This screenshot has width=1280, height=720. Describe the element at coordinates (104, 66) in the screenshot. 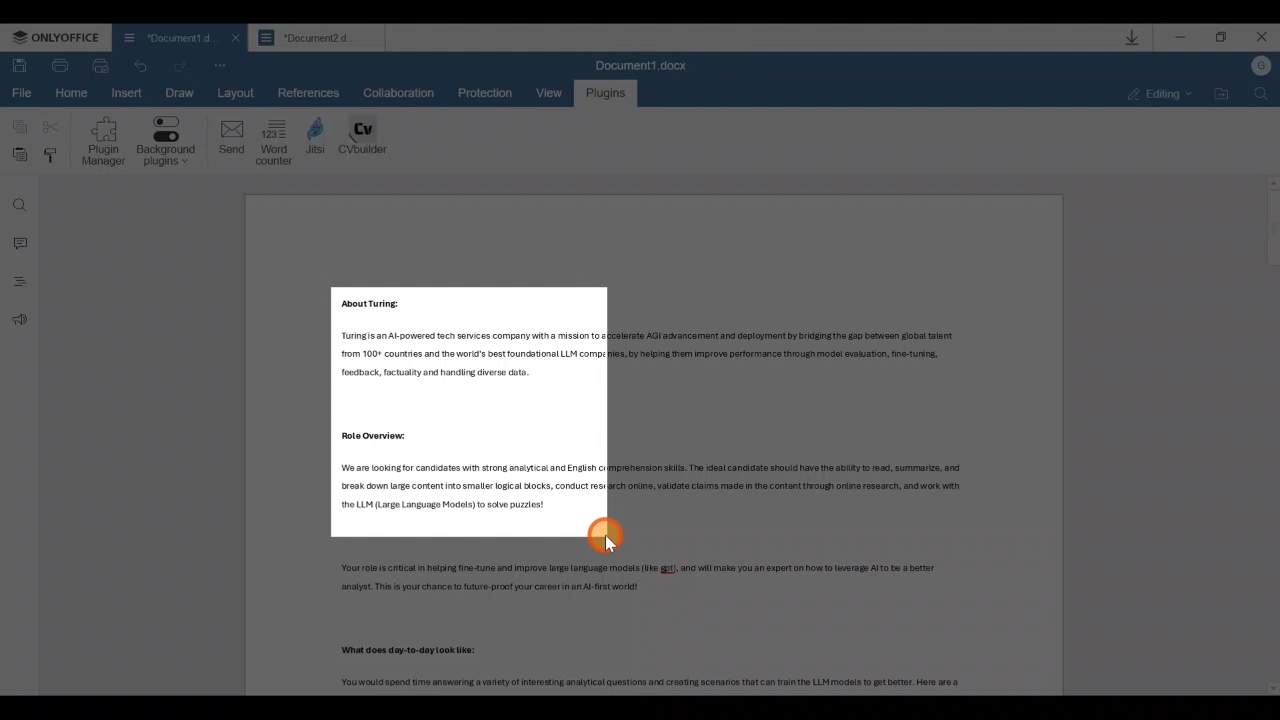

I see `Quick print` at that location.